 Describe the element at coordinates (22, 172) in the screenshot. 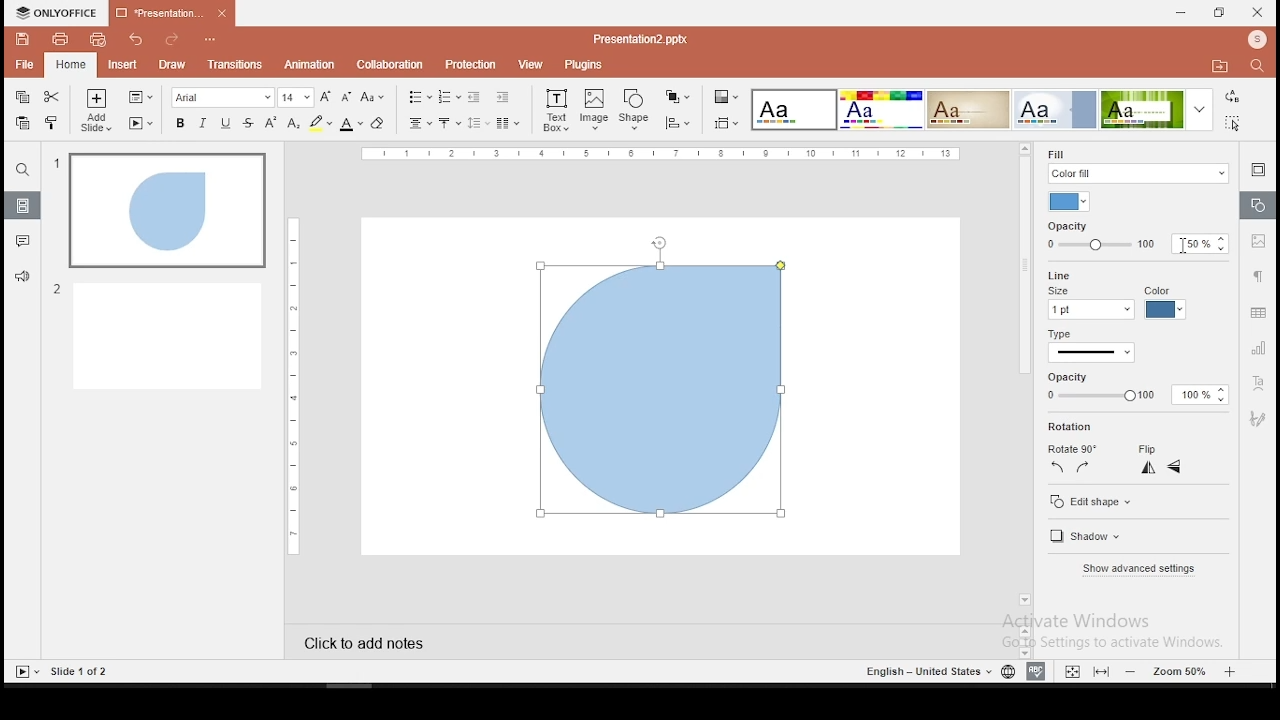

I see `find` at that location.